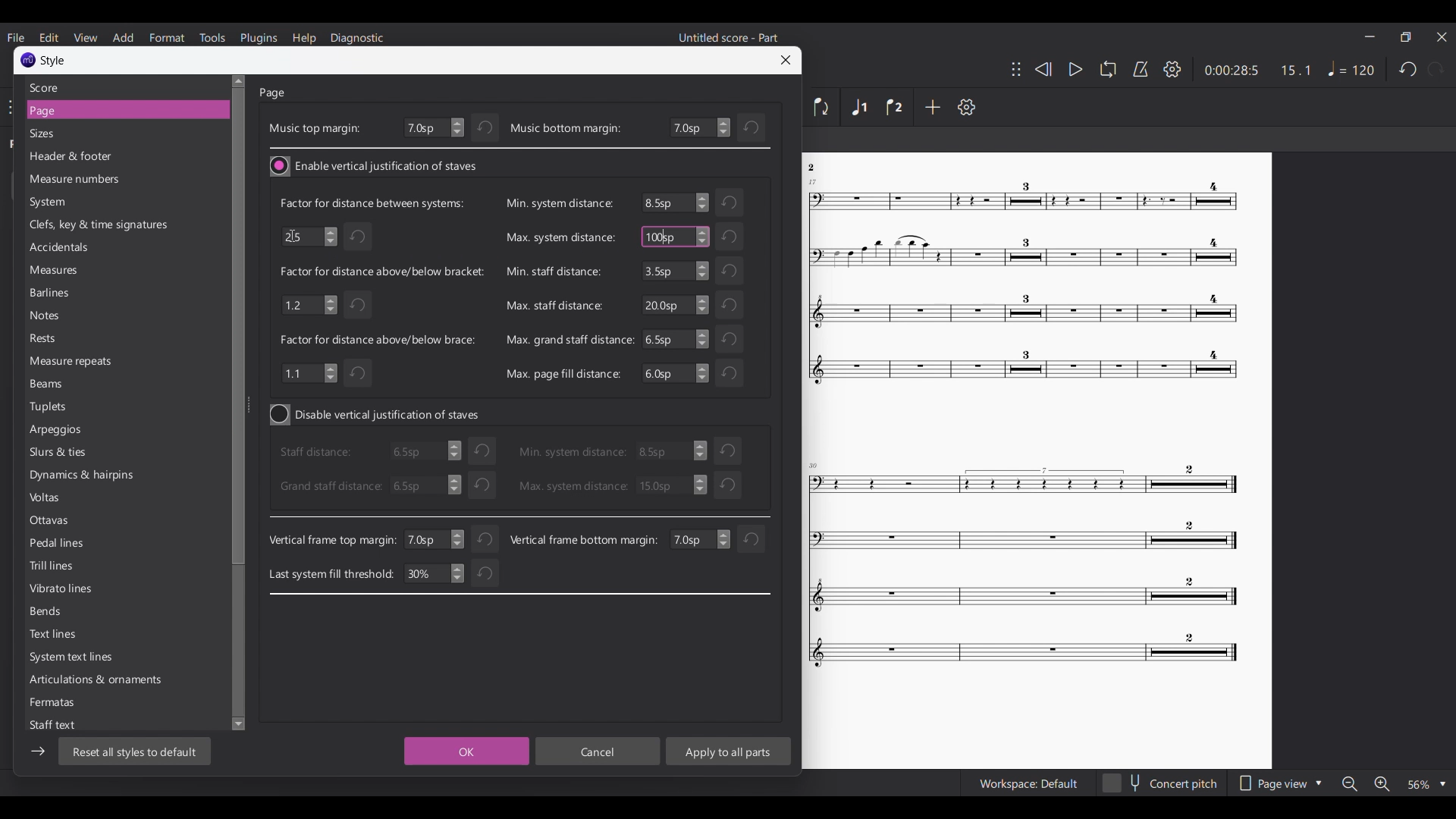 The height and width of the screenshot is (819, 1456). What do you see at coordinates (1427, 784) in the screenshot?
I see `Zoom options` at bounding box center [1427, 784].